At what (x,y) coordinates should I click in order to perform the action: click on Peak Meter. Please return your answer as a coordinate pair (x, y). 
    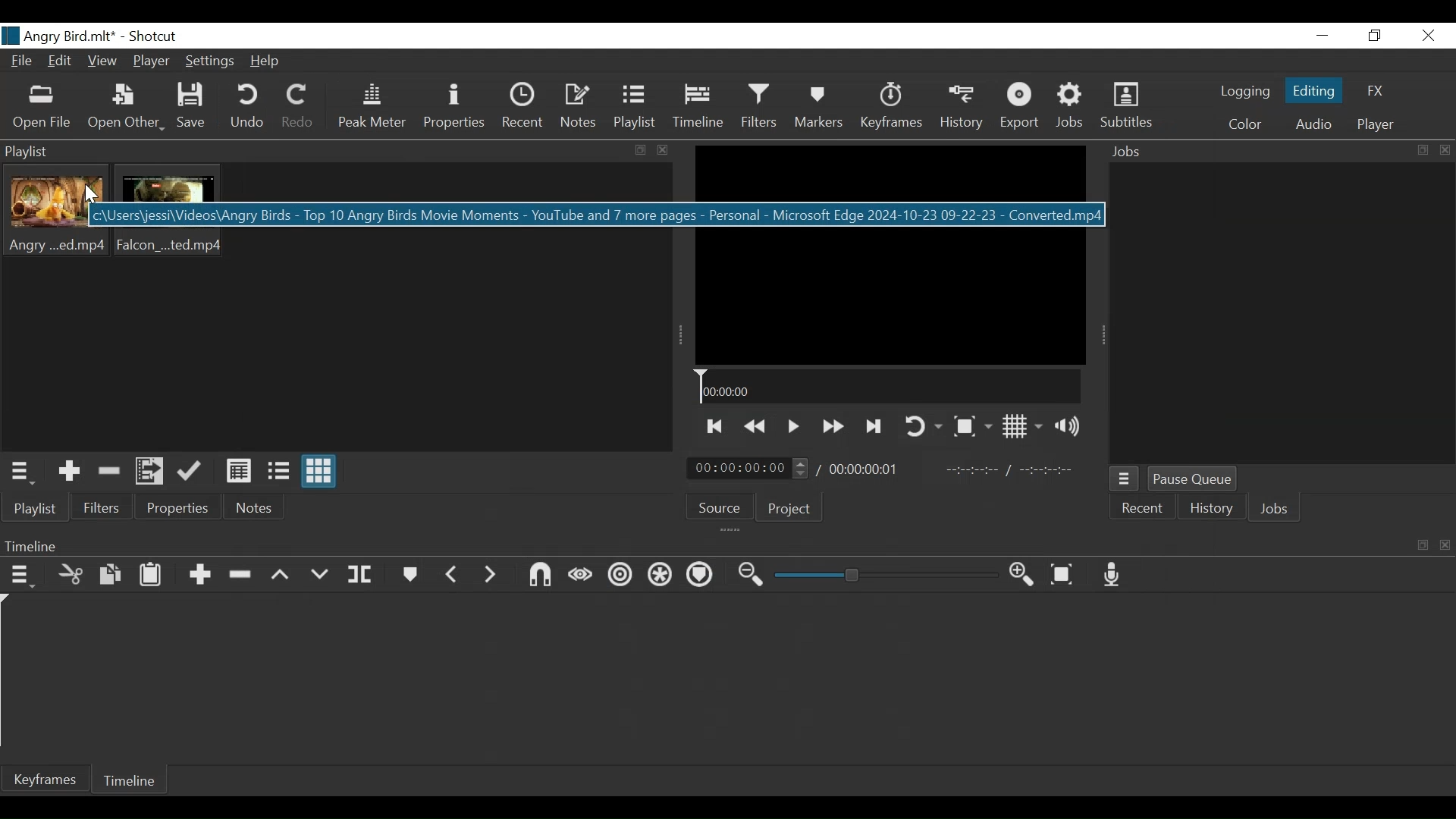
    Looking at the image, I should click on (370, 110).